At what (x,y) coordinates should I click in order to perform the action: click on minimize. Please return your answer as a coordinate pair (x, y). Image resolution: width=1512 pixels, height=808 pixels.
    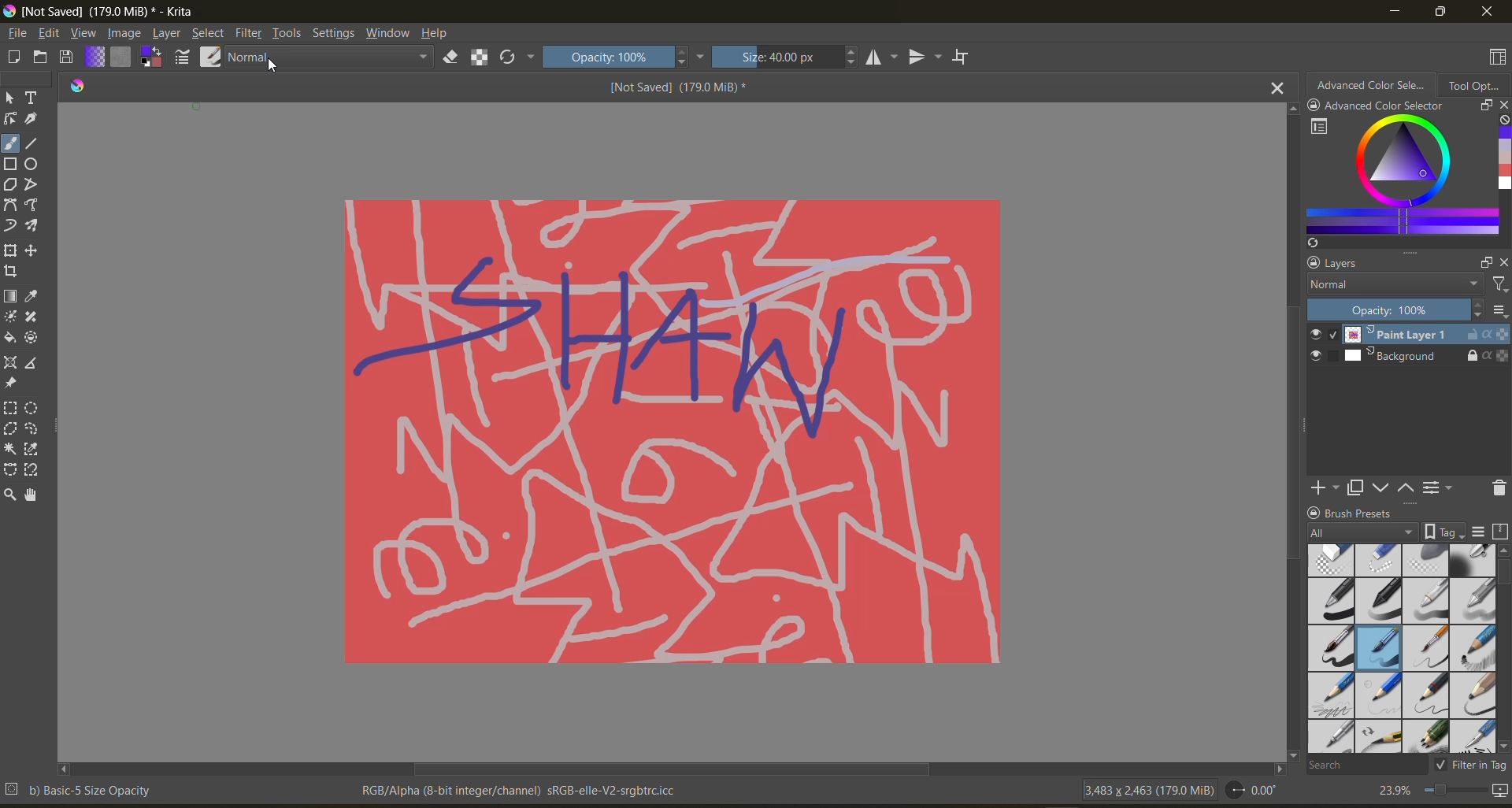
    Looking at the image, I should click on (1398, 10).